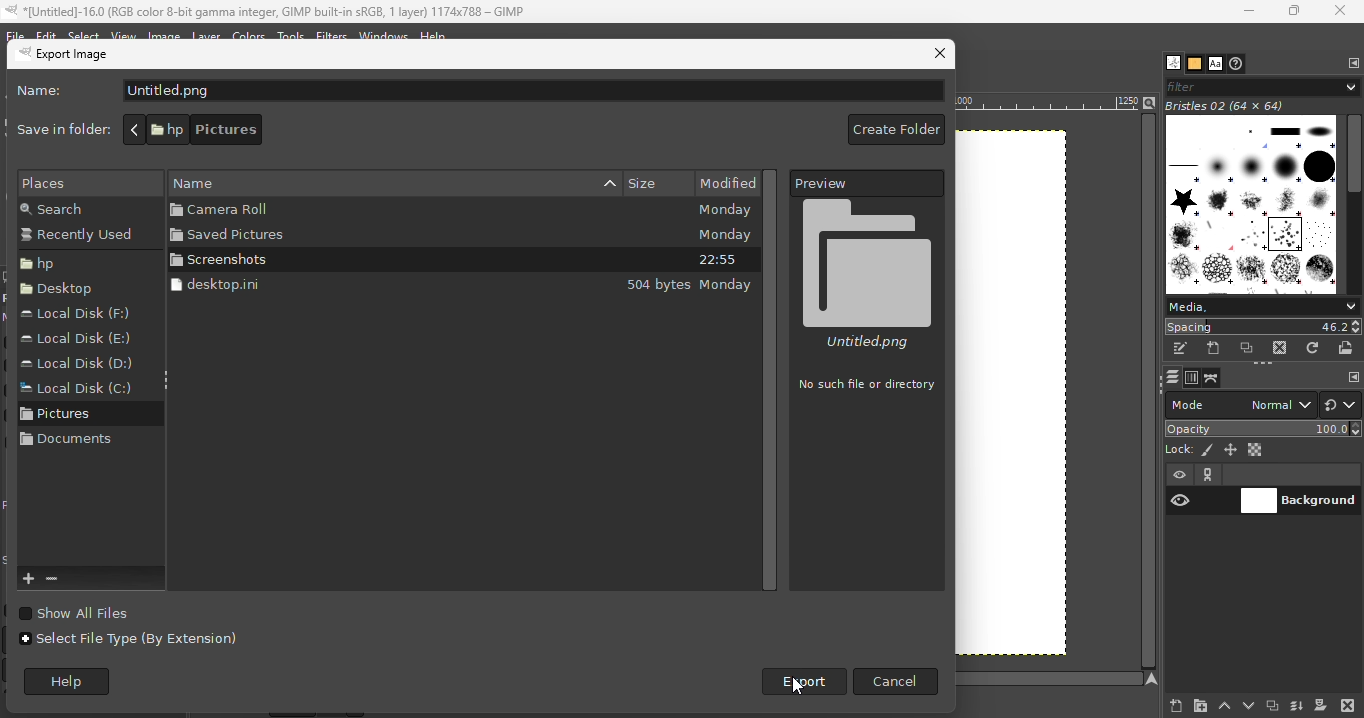 The width and height of the screenshot is (1364, 718). What do you see at coordinates (93, 612) in the screenshot?
I see `Show all files` at bounding box center [93, 612].